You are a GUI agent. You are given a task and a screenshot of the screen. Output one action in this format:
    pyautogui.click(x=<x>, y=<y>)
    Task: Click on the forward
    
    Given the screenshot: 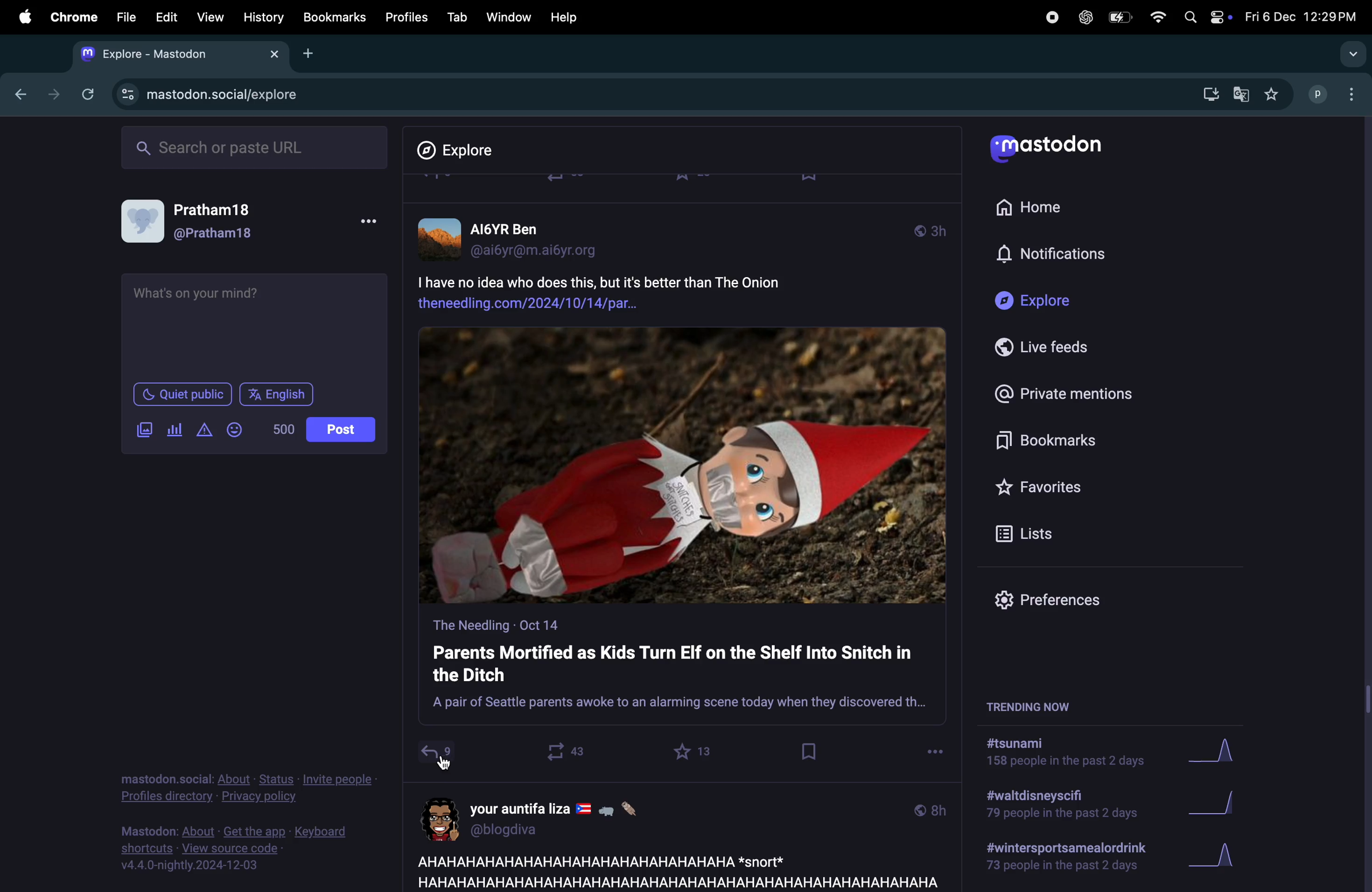 What is the action you would take?
    pyautogui.click(x=50, y=94)
    